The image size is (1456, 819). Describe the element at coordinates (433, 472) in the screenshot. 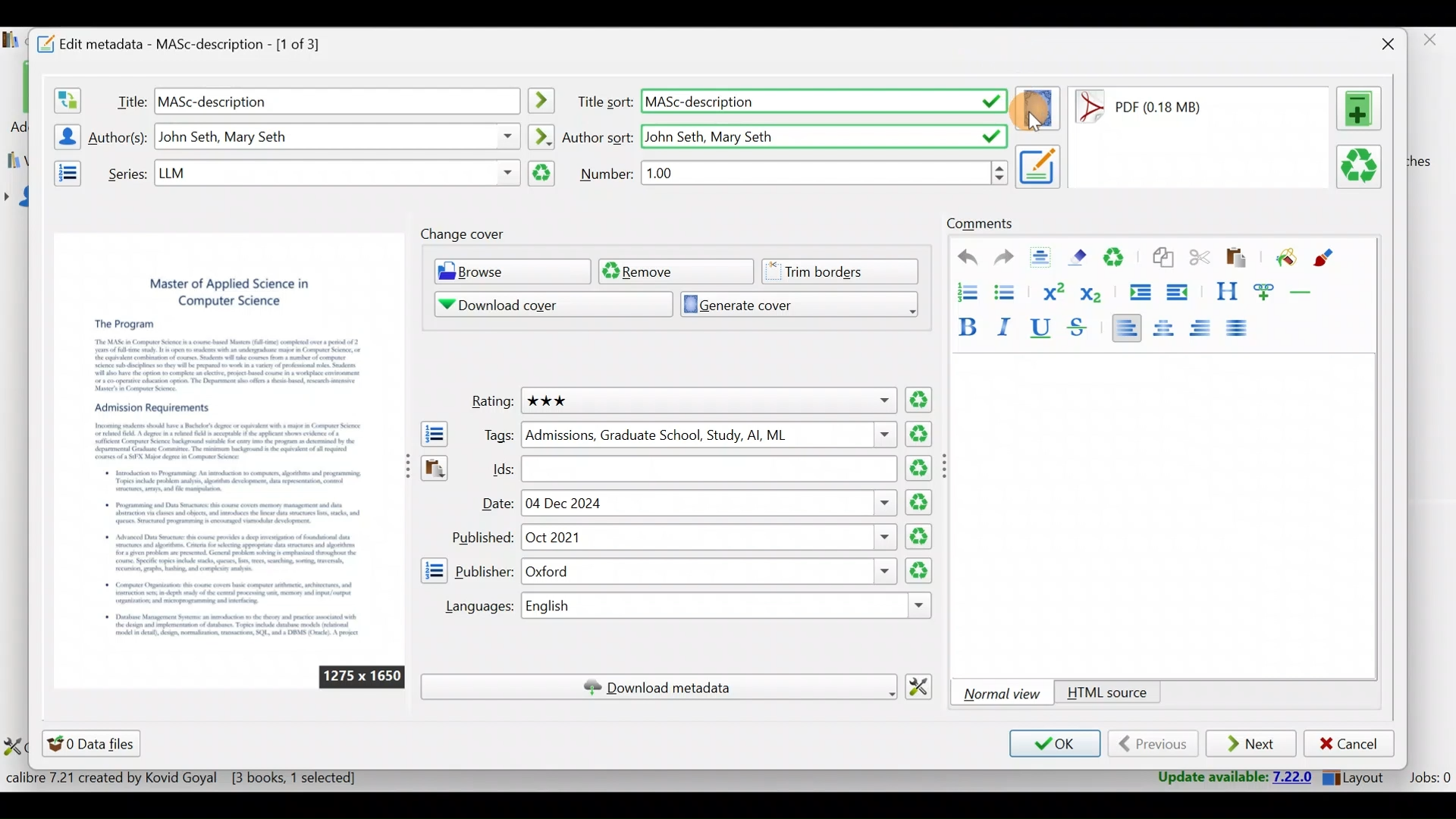

I see `Paste contents of the clipboard` at that location.